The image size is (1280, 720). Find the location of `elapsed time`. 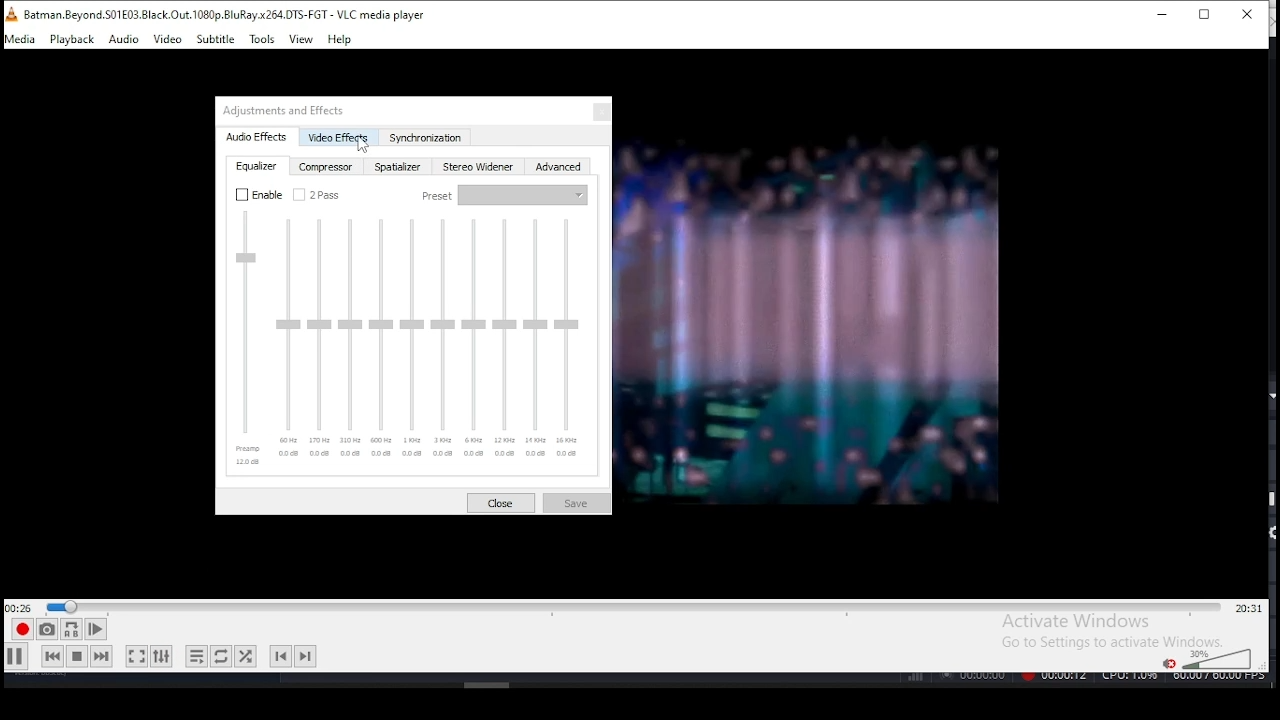

elapsed time is located at coordinates (20, 607).